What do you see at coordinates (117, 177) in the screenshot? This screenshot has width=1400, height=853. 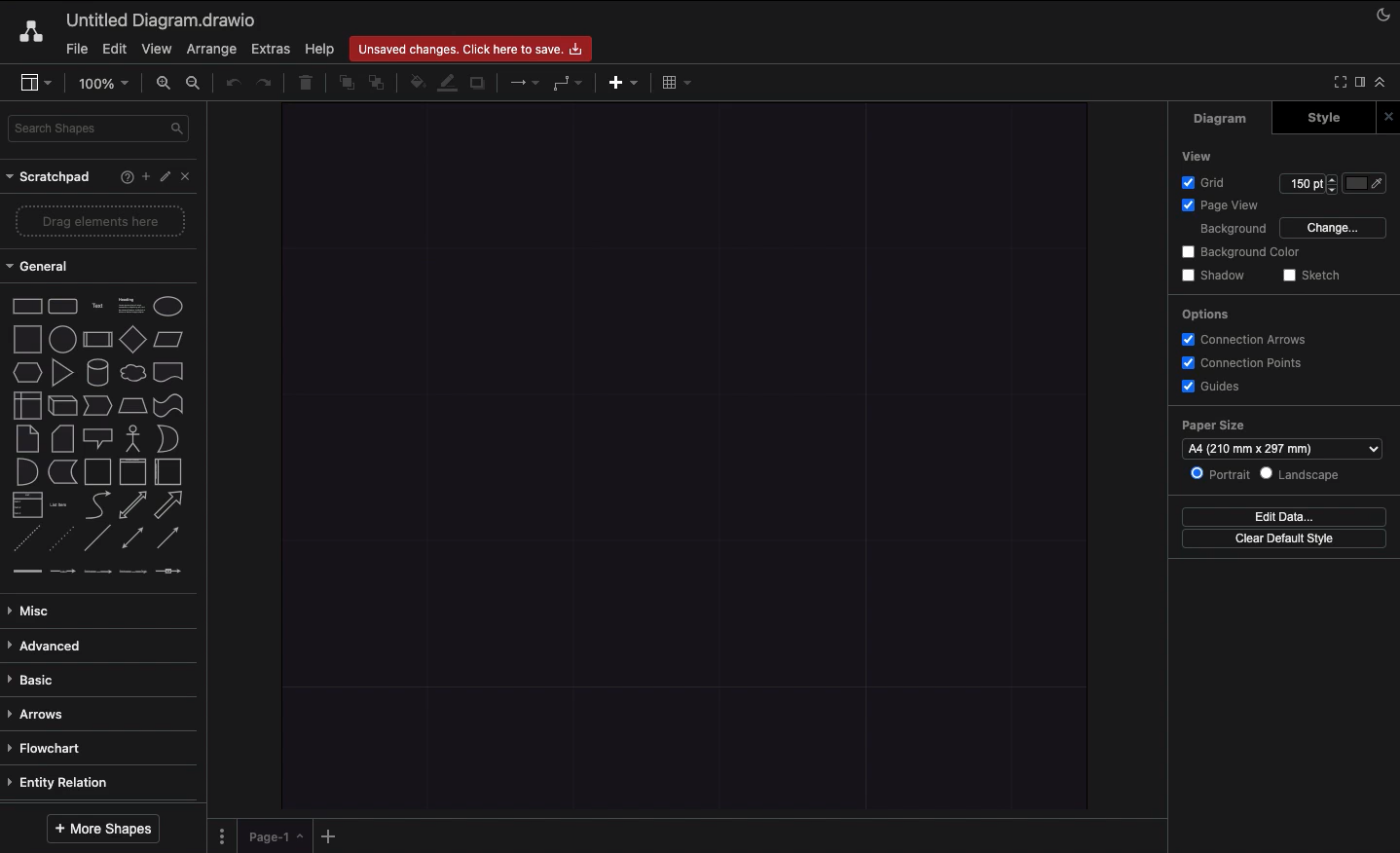 I see `Help` at bounding box center [117, 177].